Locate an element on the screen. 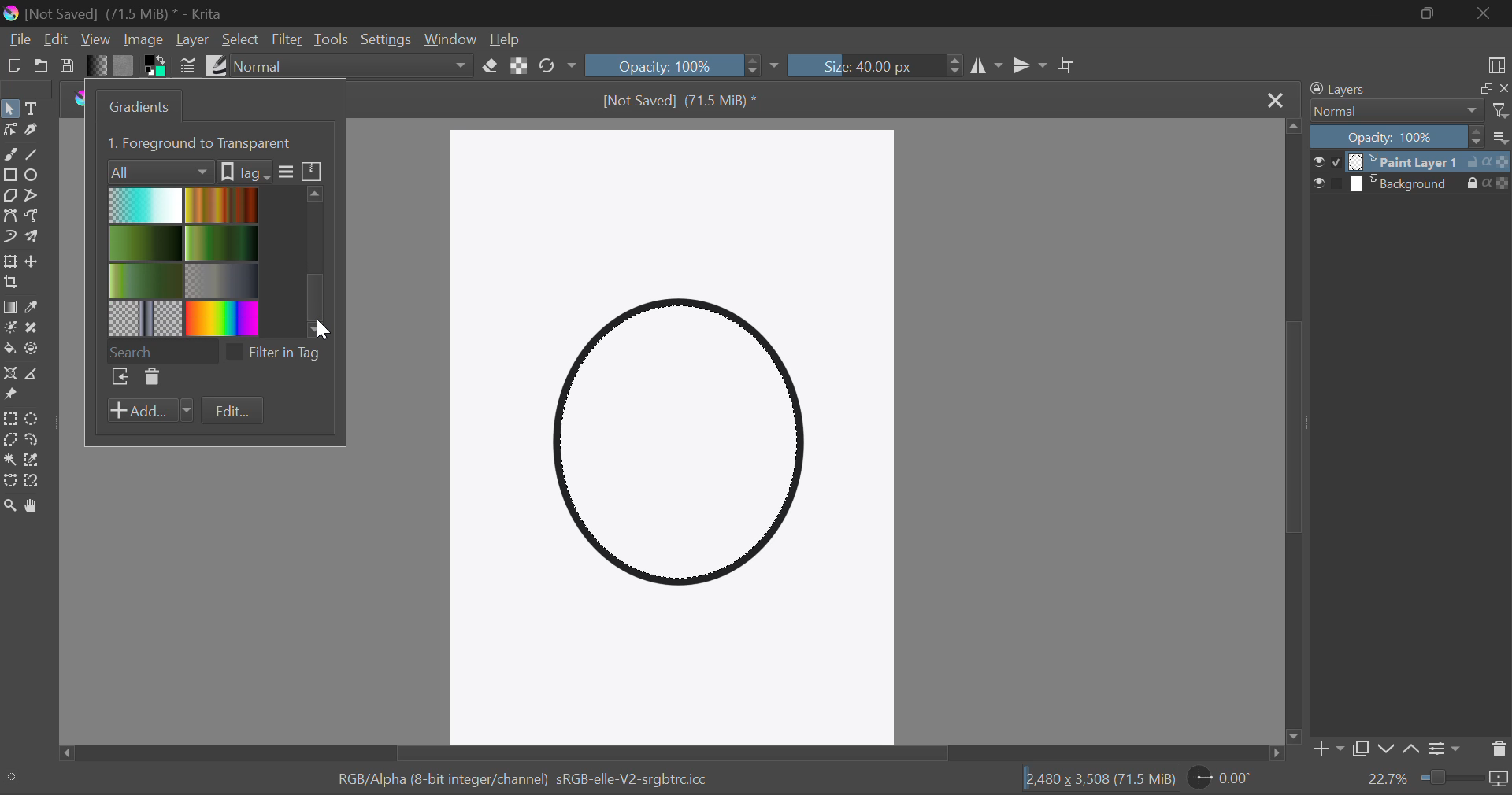  Rainbow Gradient is located at coordinates (224, 318).